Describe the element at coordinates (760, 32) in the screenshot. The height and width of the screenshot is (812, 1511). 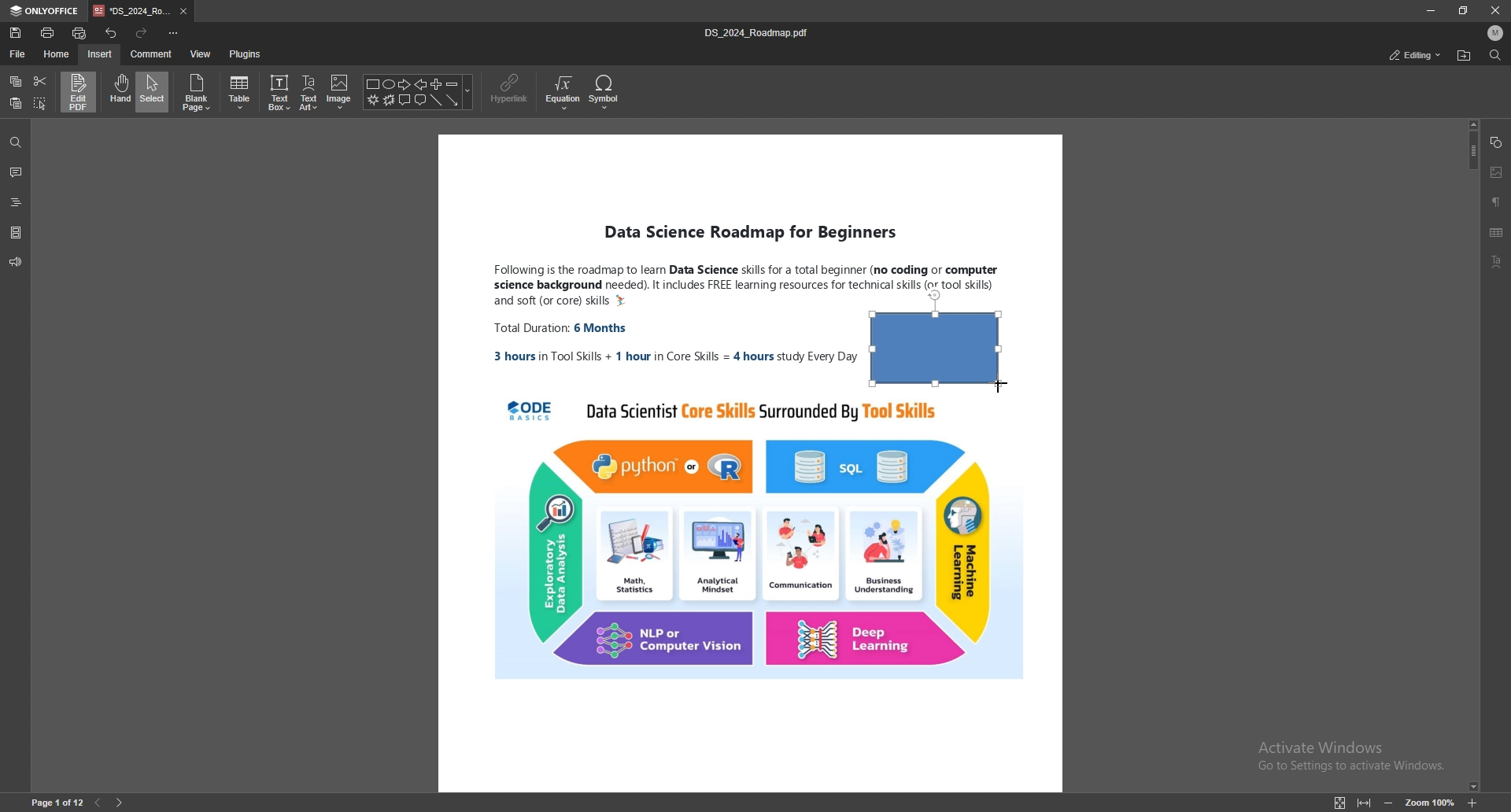
I see `file name` at that location.